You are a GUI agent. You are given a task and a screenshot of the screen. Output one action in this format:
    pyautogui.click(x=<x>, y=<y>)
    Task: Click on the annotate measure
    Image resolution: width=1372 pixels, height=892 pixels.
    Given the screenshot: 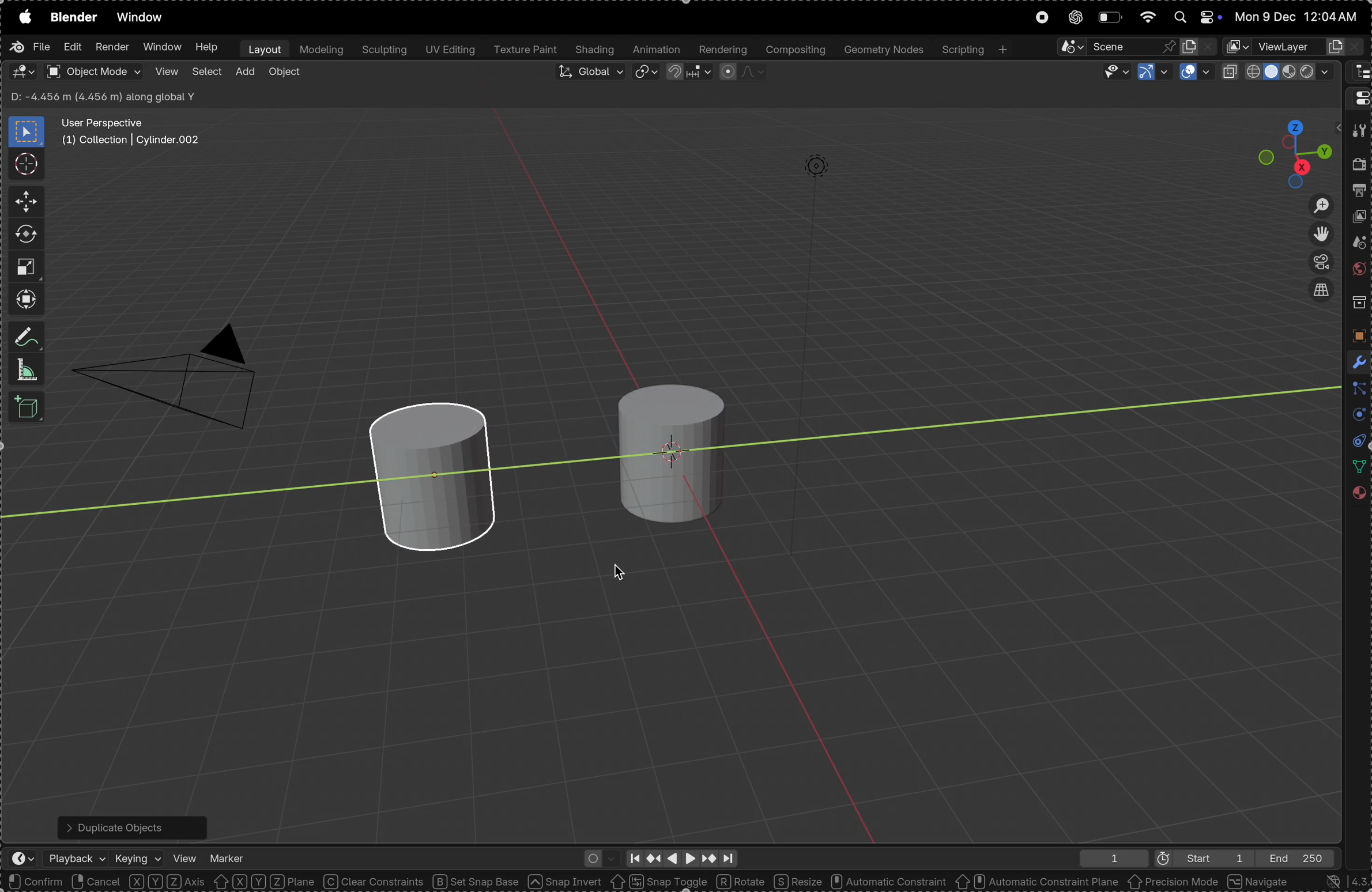 What is the action you would take?
    pyautogui.click(x=28, y=338)
    